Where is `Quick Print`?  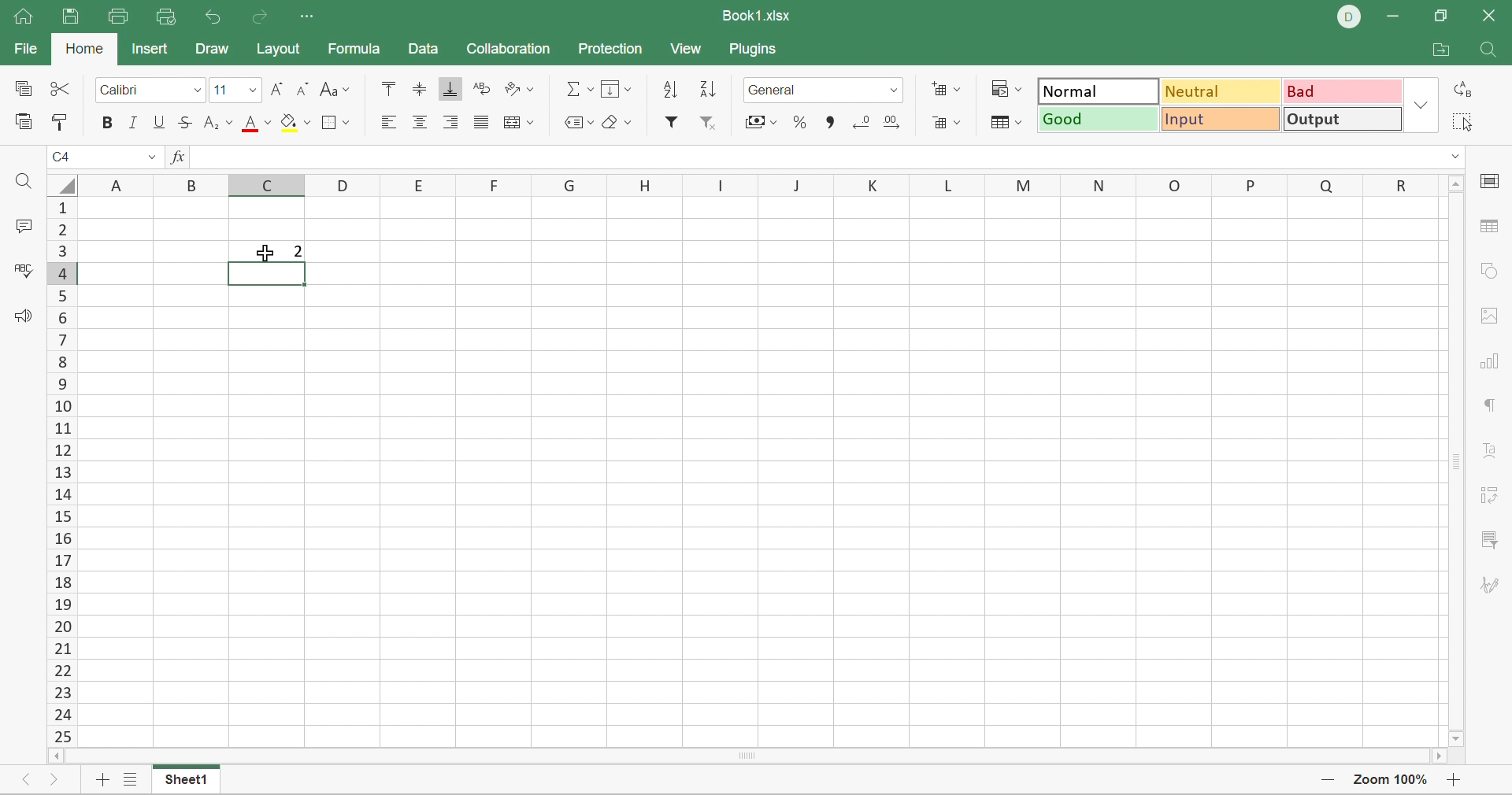
Quick Print is located at coordinates (169, 17).